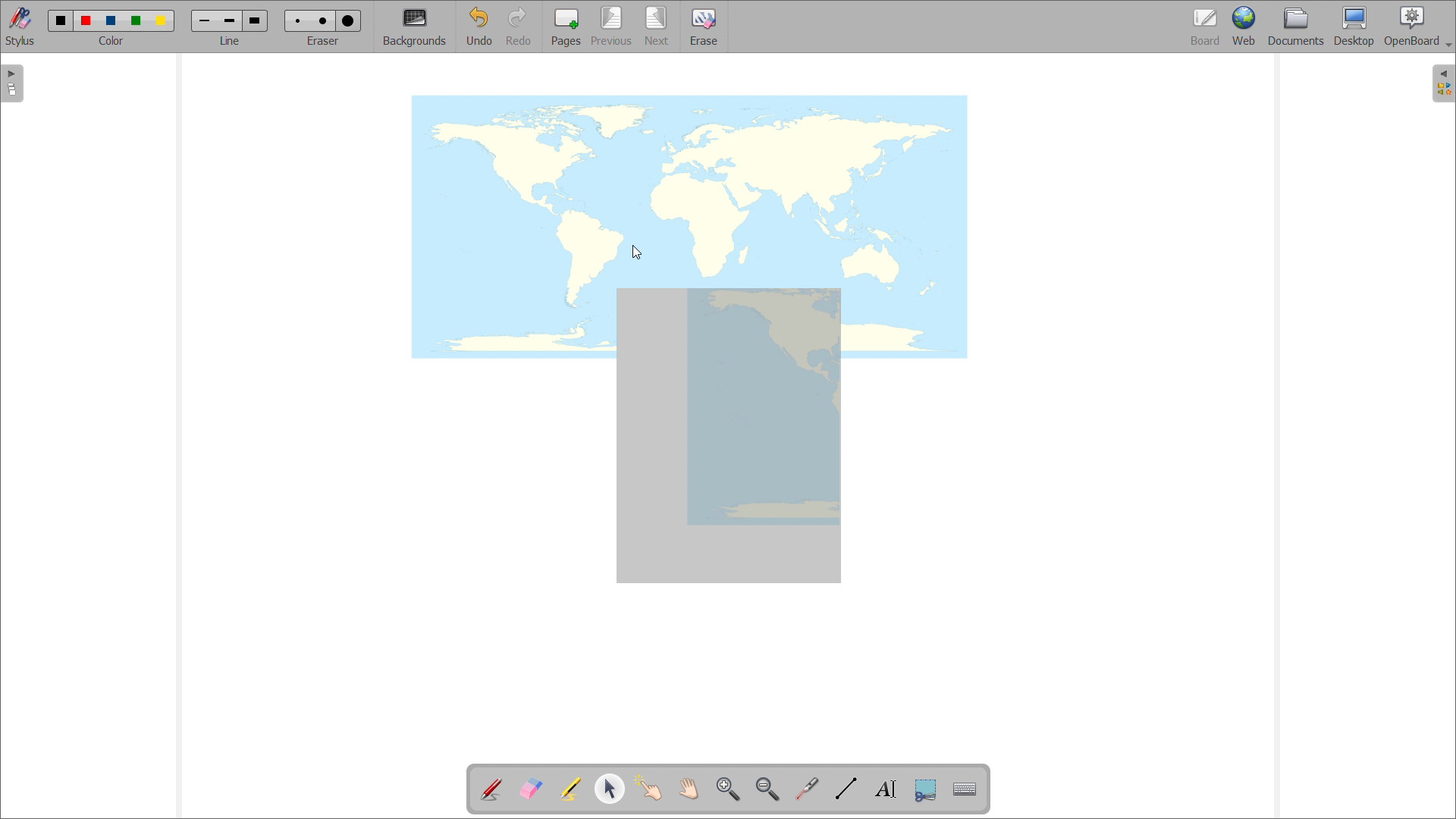 The width and height of the screenshot is (1456, 819). I want to click on zoom in, so click(728, 789).